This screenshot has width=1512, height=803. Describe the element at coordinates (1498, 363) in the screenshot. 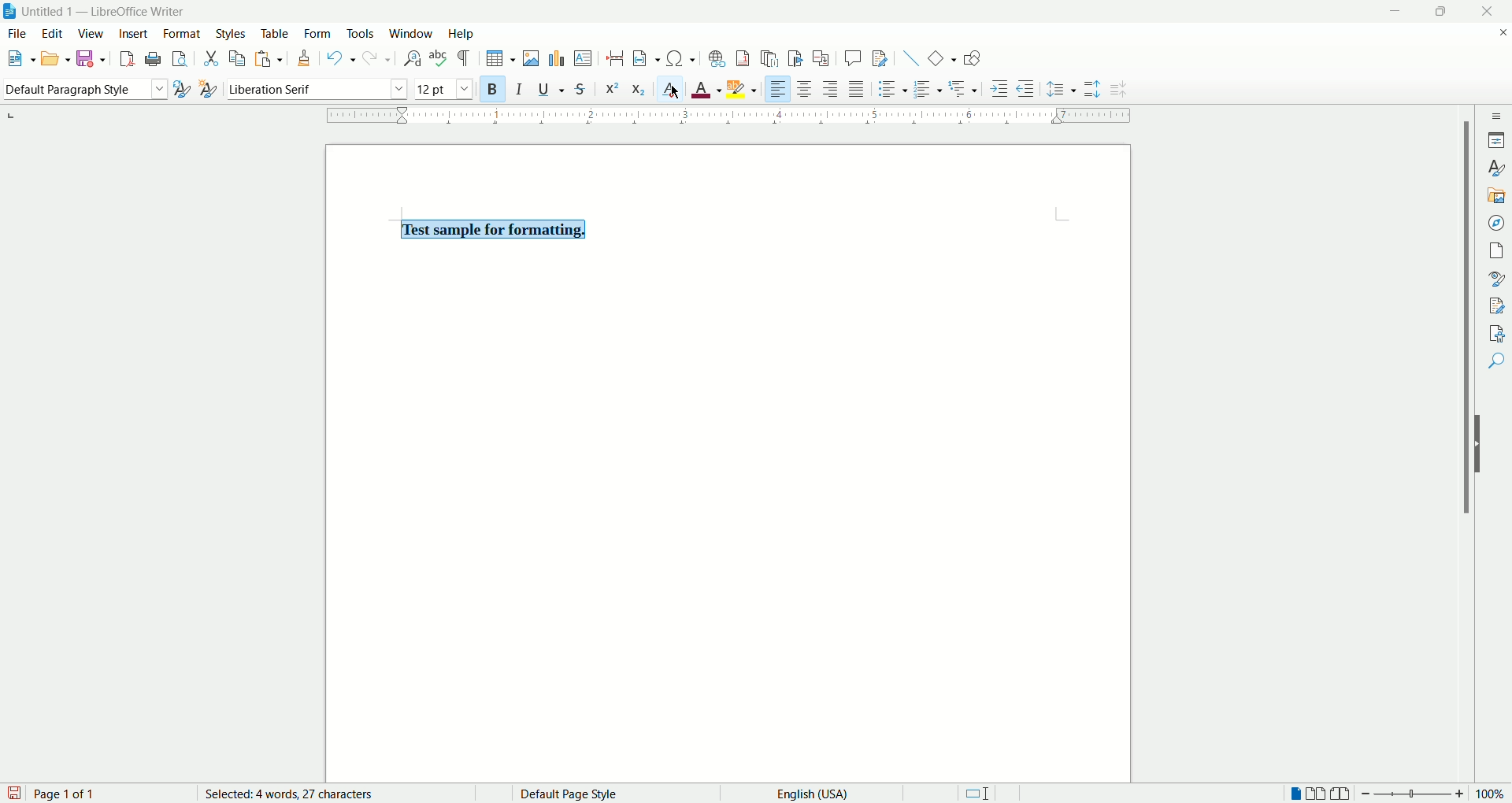

I see `find` at that location.